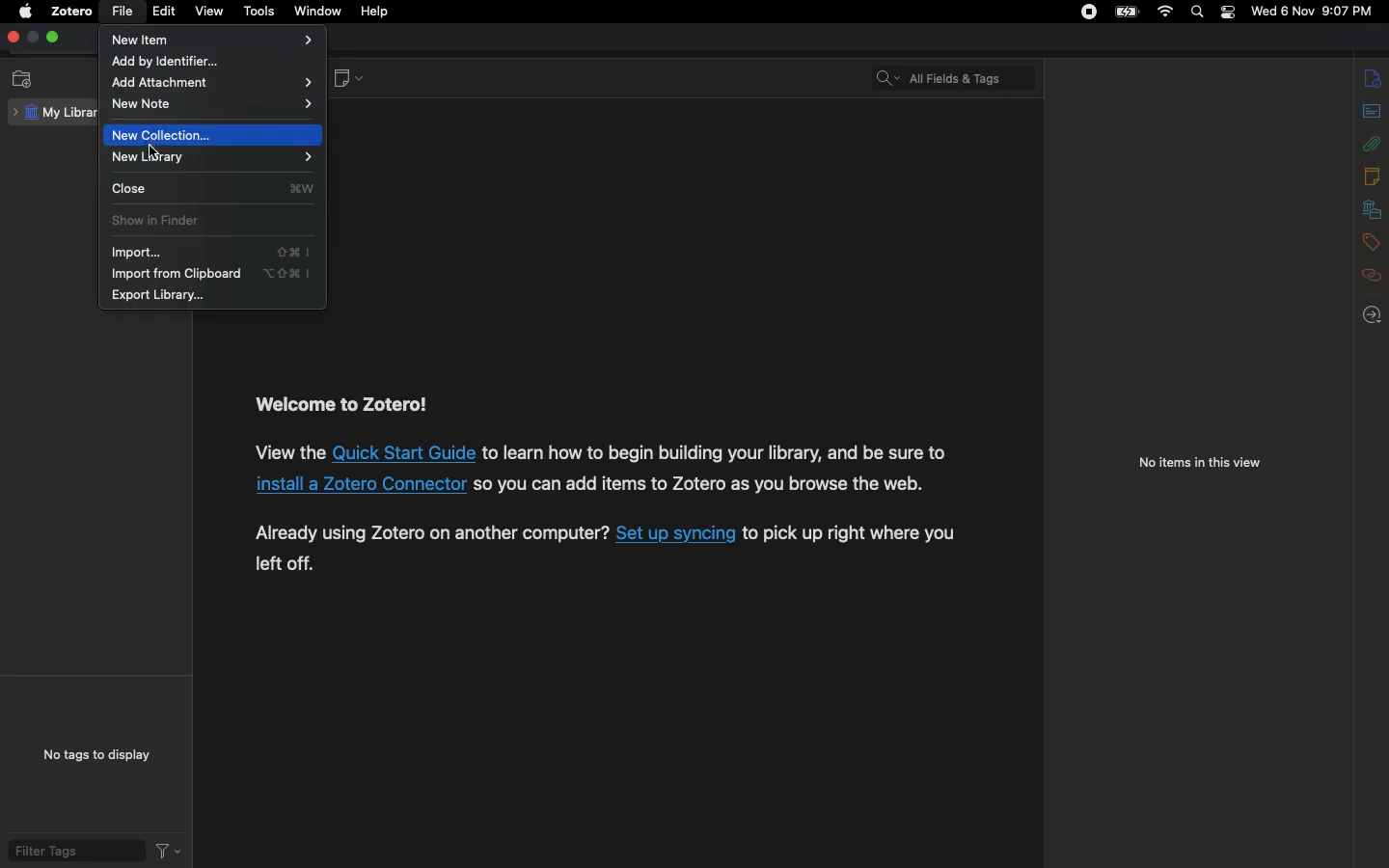  What do you see at coordinates (377, 12) in the screenshot?
I see `Help` at bounding box center [377, 12].